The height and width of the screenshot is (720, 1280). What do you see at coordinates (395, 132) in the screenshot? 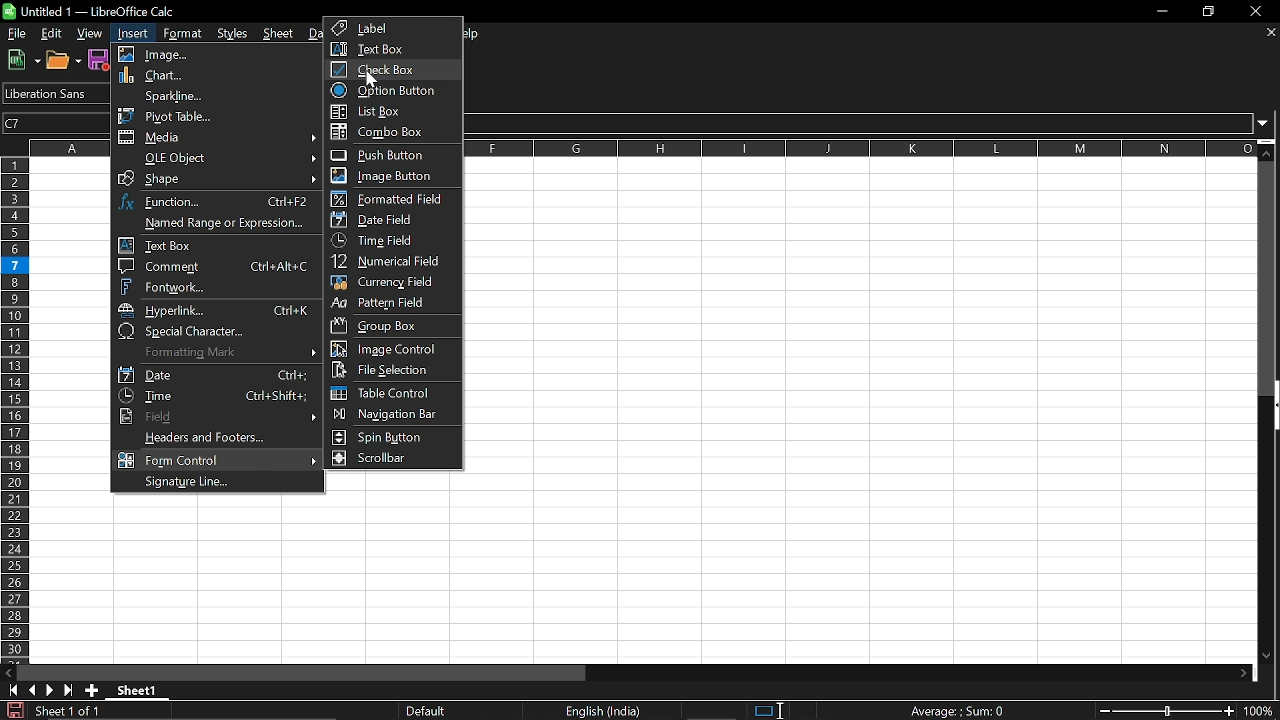
I see `Combo box` at bounding box center [395, 132].